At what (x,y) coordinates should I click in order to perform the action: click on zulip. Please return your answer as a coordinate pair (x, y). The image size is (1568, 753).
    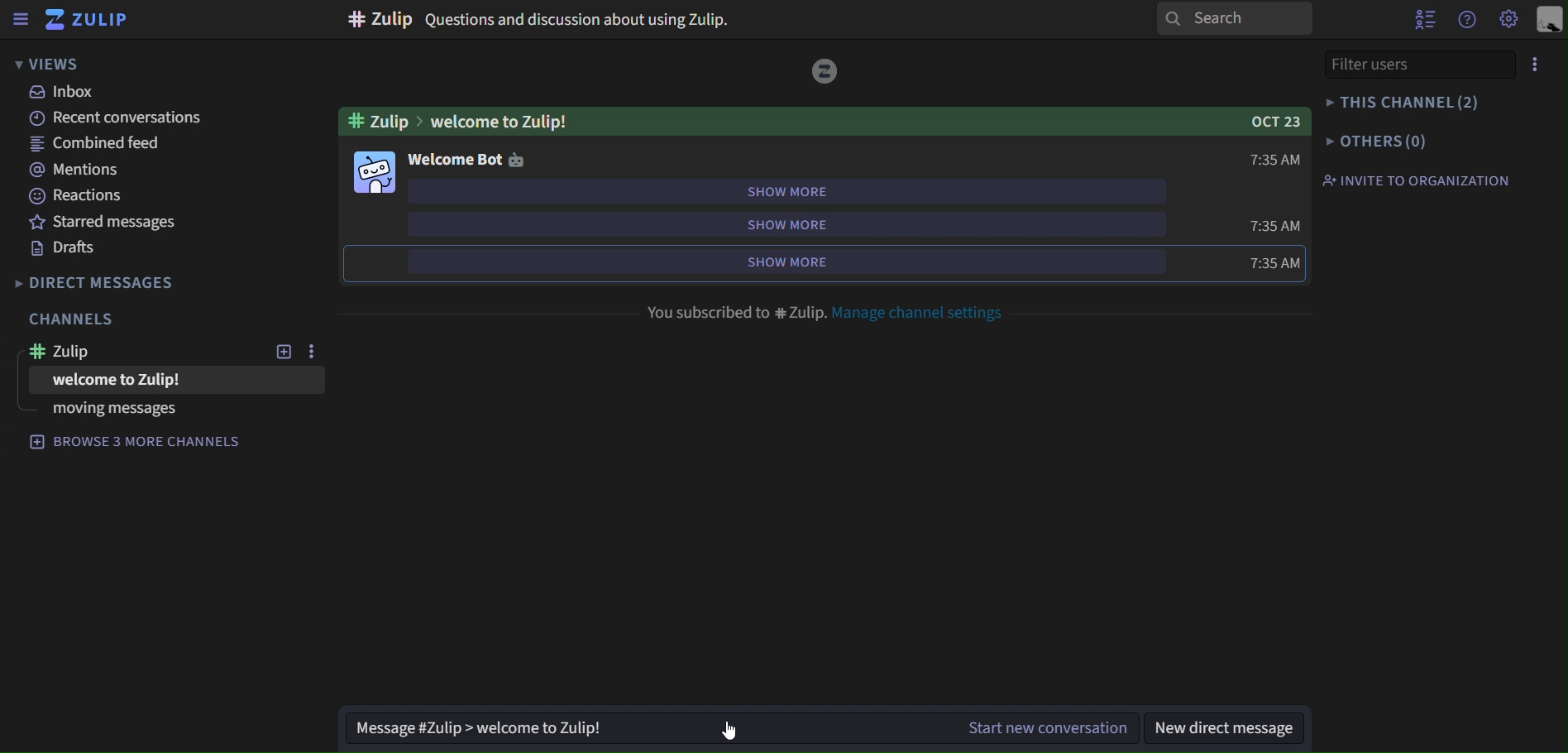
    Looking at the image, I should click on (93, 20).